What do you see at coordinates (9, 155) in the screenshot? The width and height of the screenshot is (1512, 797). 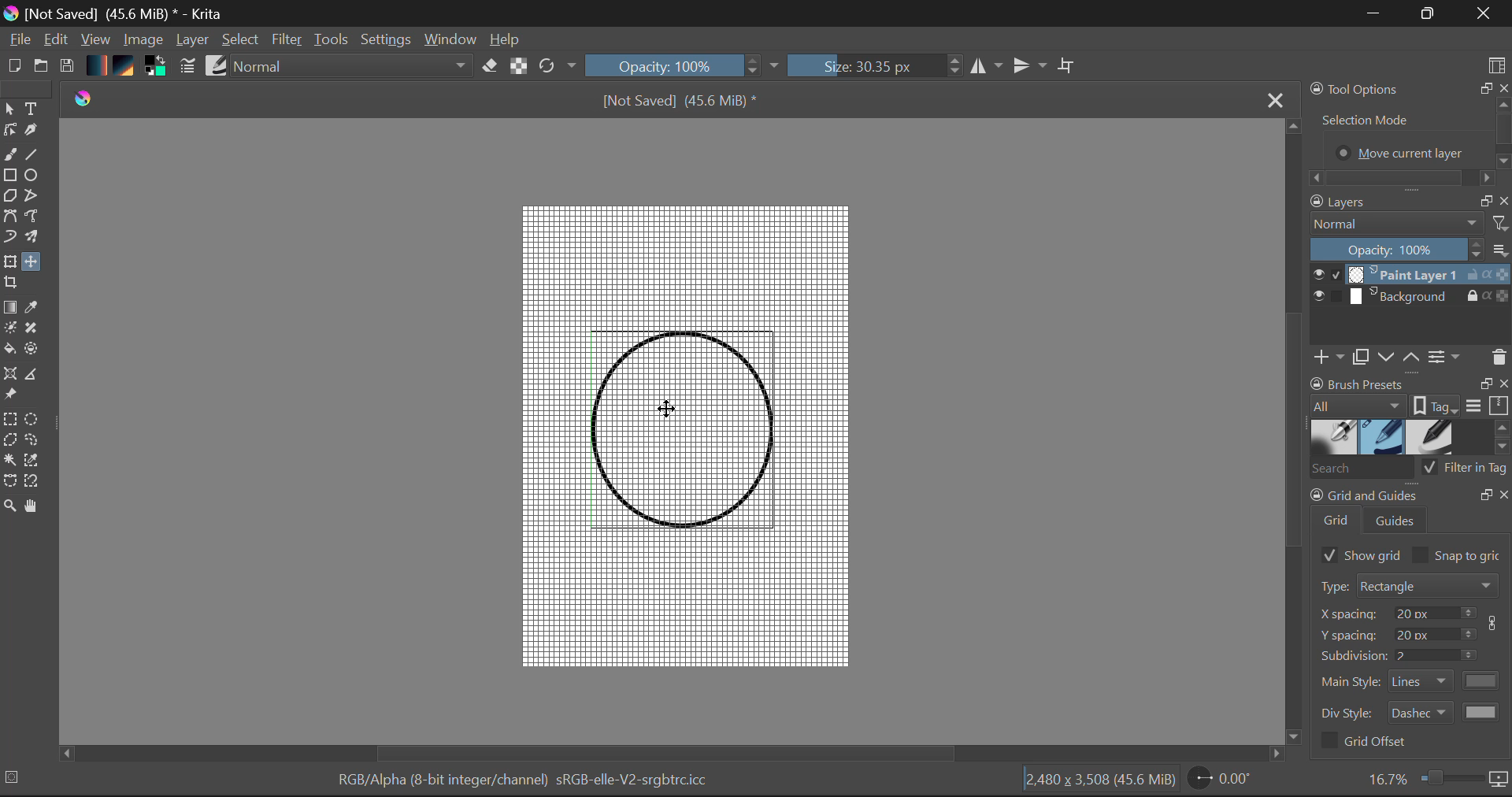 I see `Freehand` at bounding box center [9, 155].